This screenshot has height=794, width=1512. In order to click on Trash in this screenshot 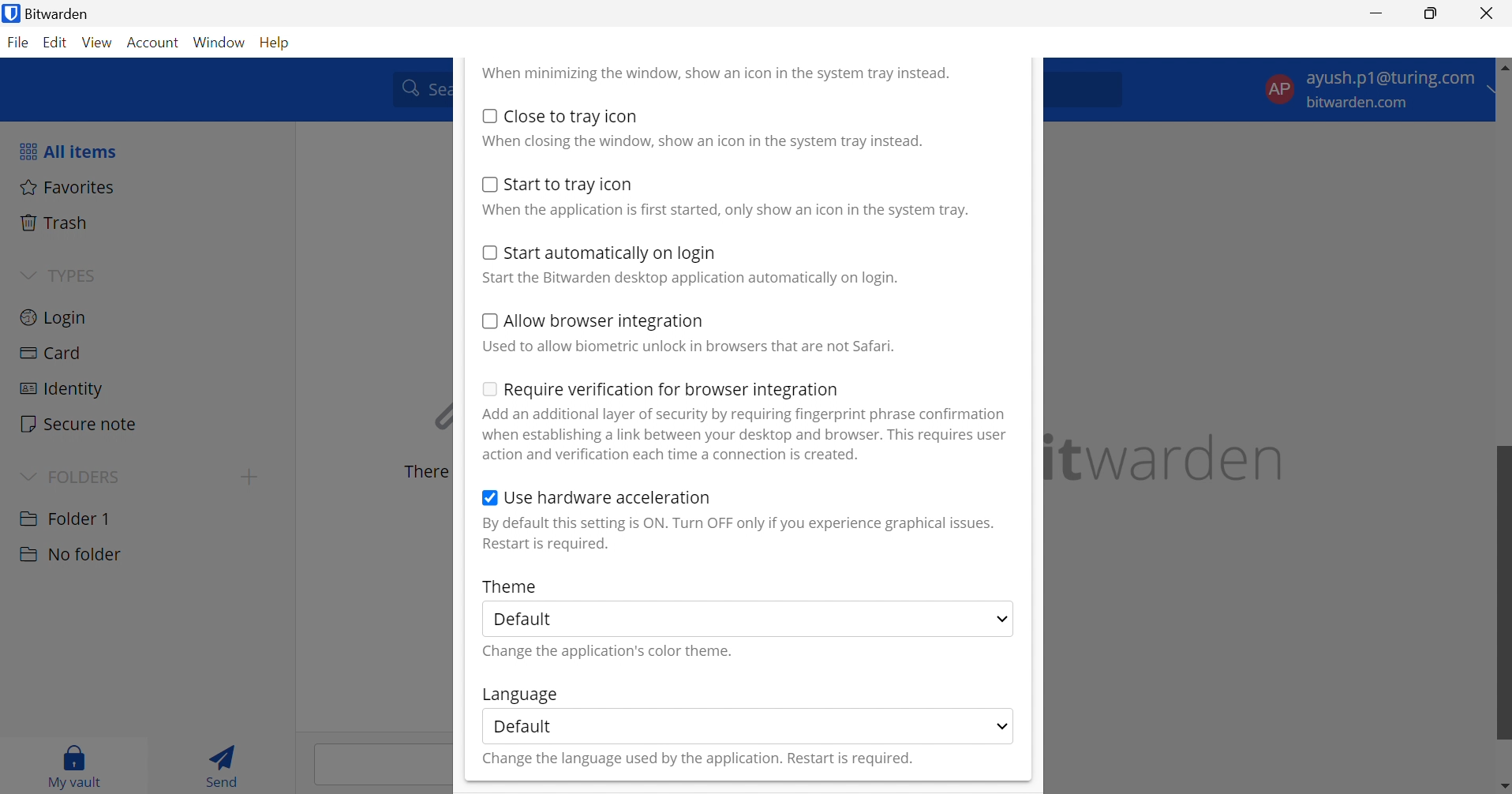, I will do `click(56, 223)`.